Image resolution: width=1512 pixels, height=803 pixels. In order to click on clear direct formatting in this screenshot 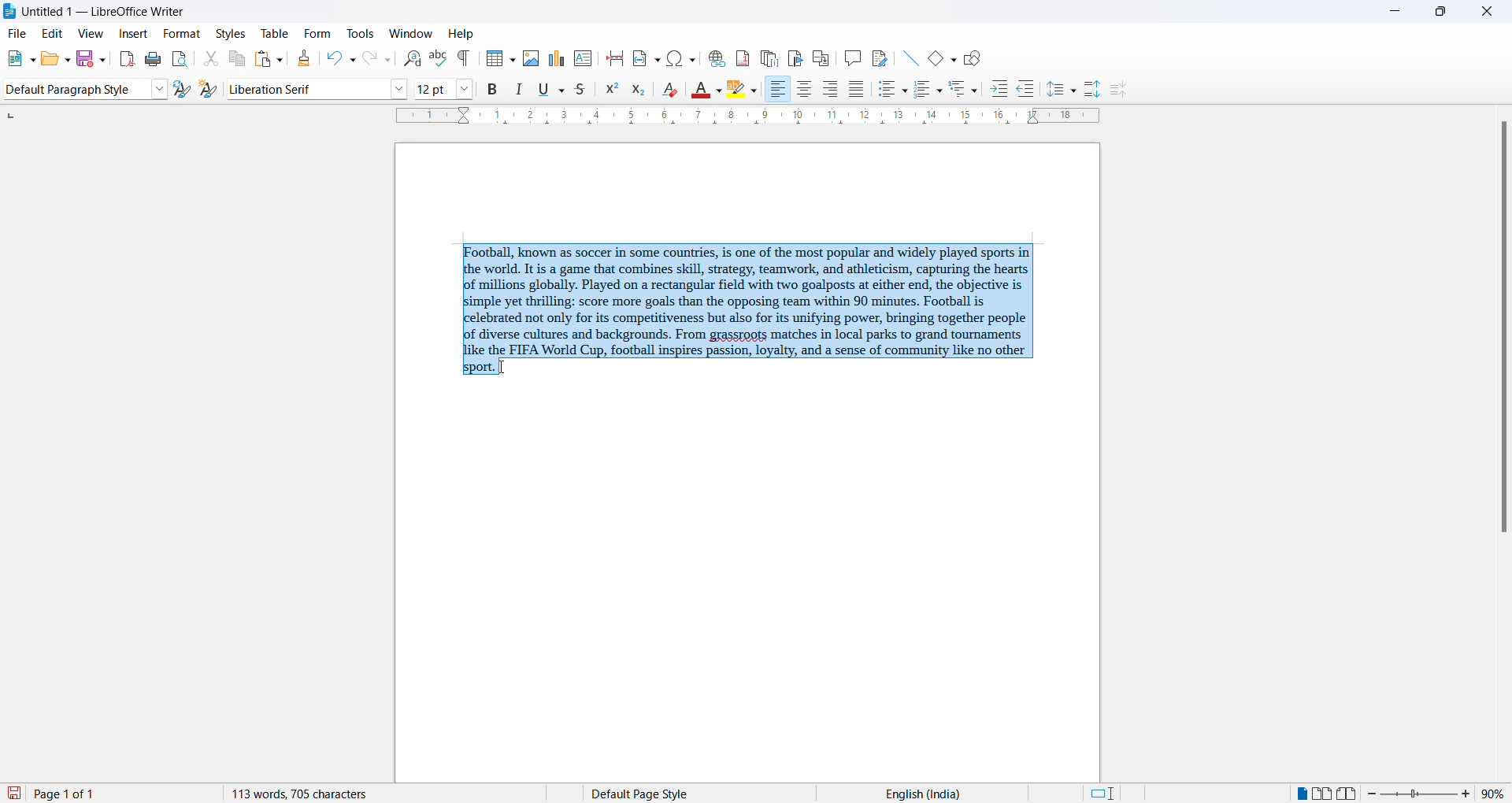, I will do `click(669, 88)`.